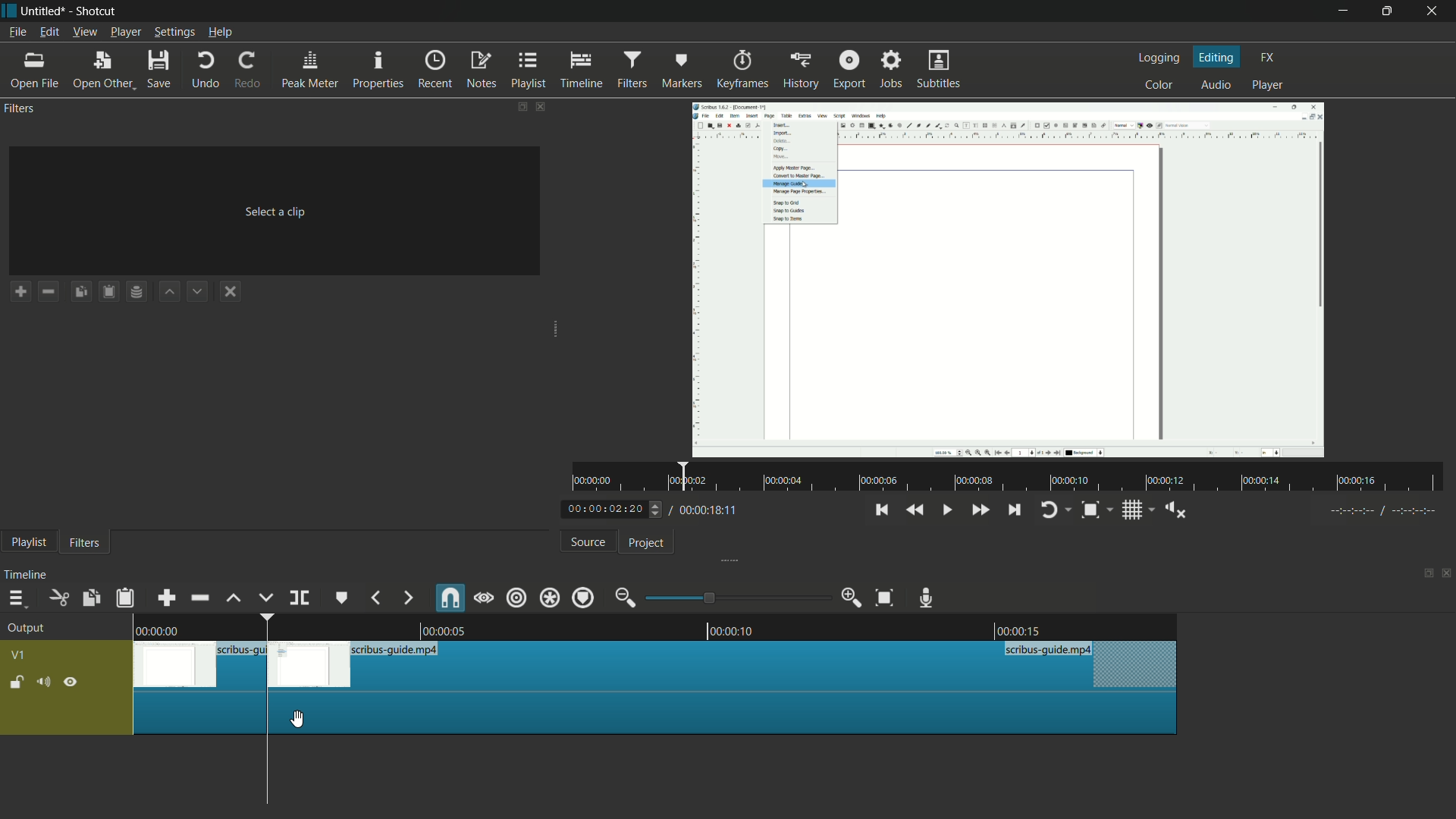 The image size is (1456, 819). What do you see at coordinates (584, 597) in the screenshot?
I see `ripple markers` at bounding box center [584, 597].